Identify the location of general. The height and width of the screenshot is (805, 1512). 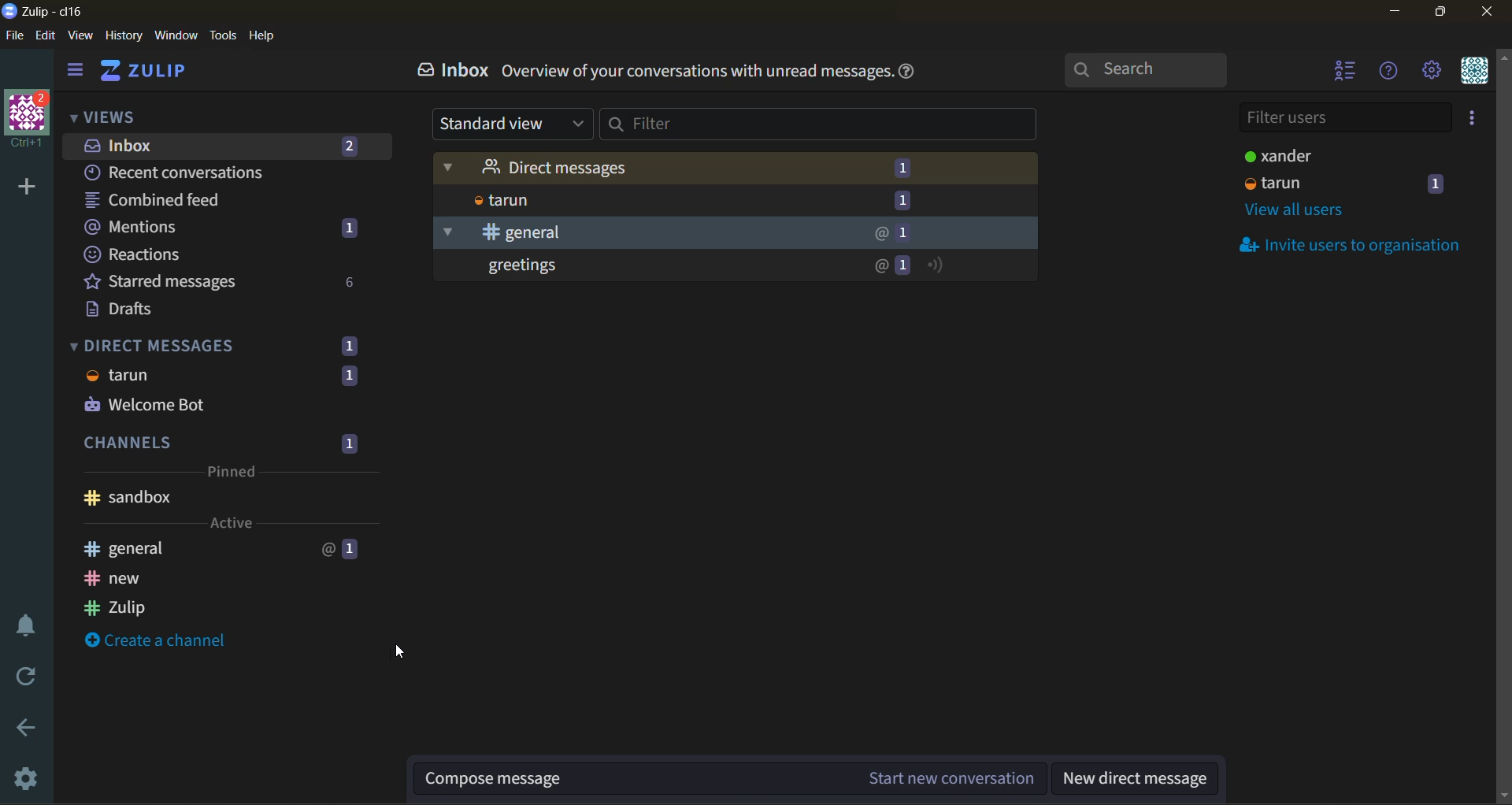
(221, 548).